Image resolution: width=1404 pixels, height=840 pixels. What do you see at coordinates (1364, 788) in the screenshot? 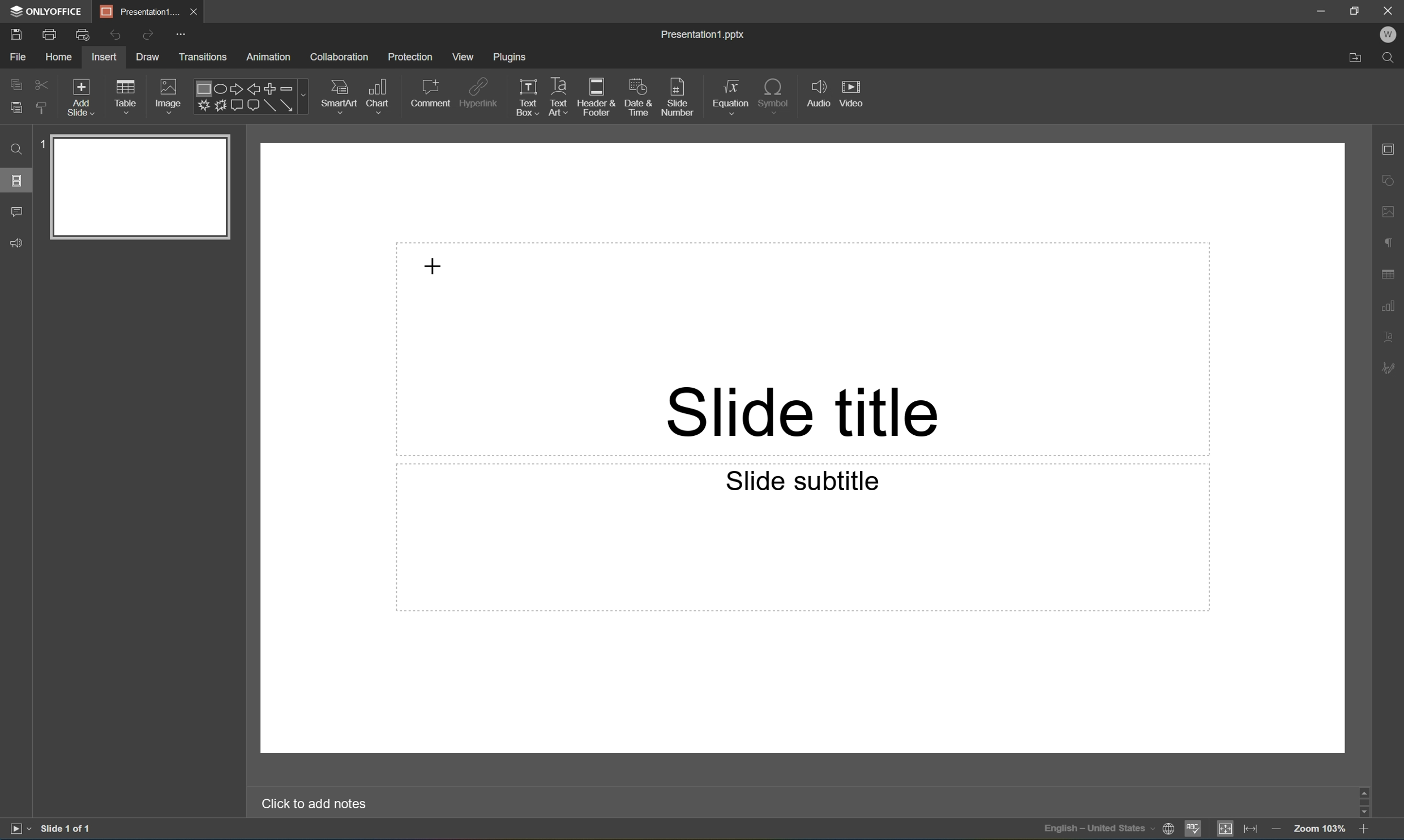
I see `Scroll Up` at bounding box center [1364, 788].